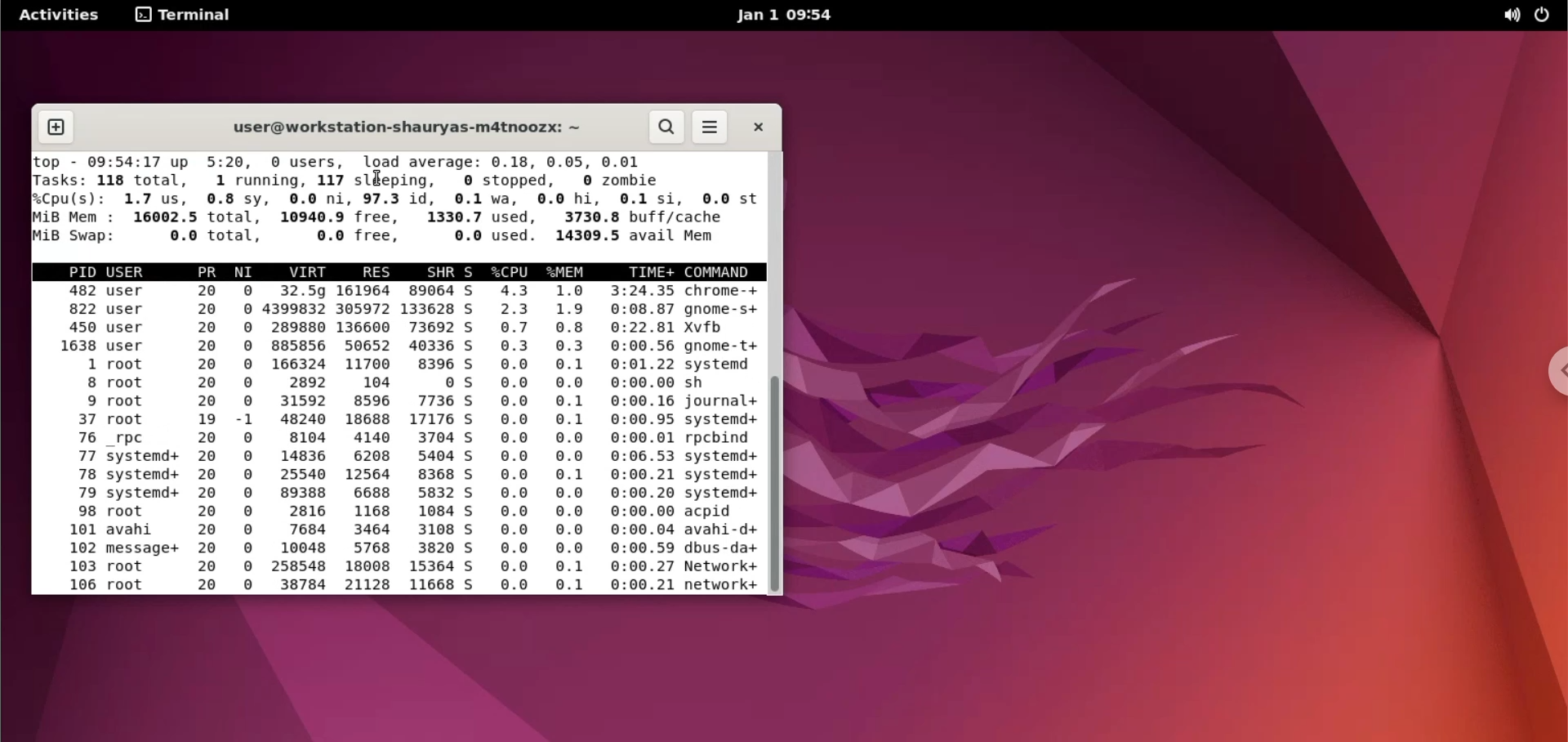  I want to click on Jan 1 09:54, so click(788, 15).